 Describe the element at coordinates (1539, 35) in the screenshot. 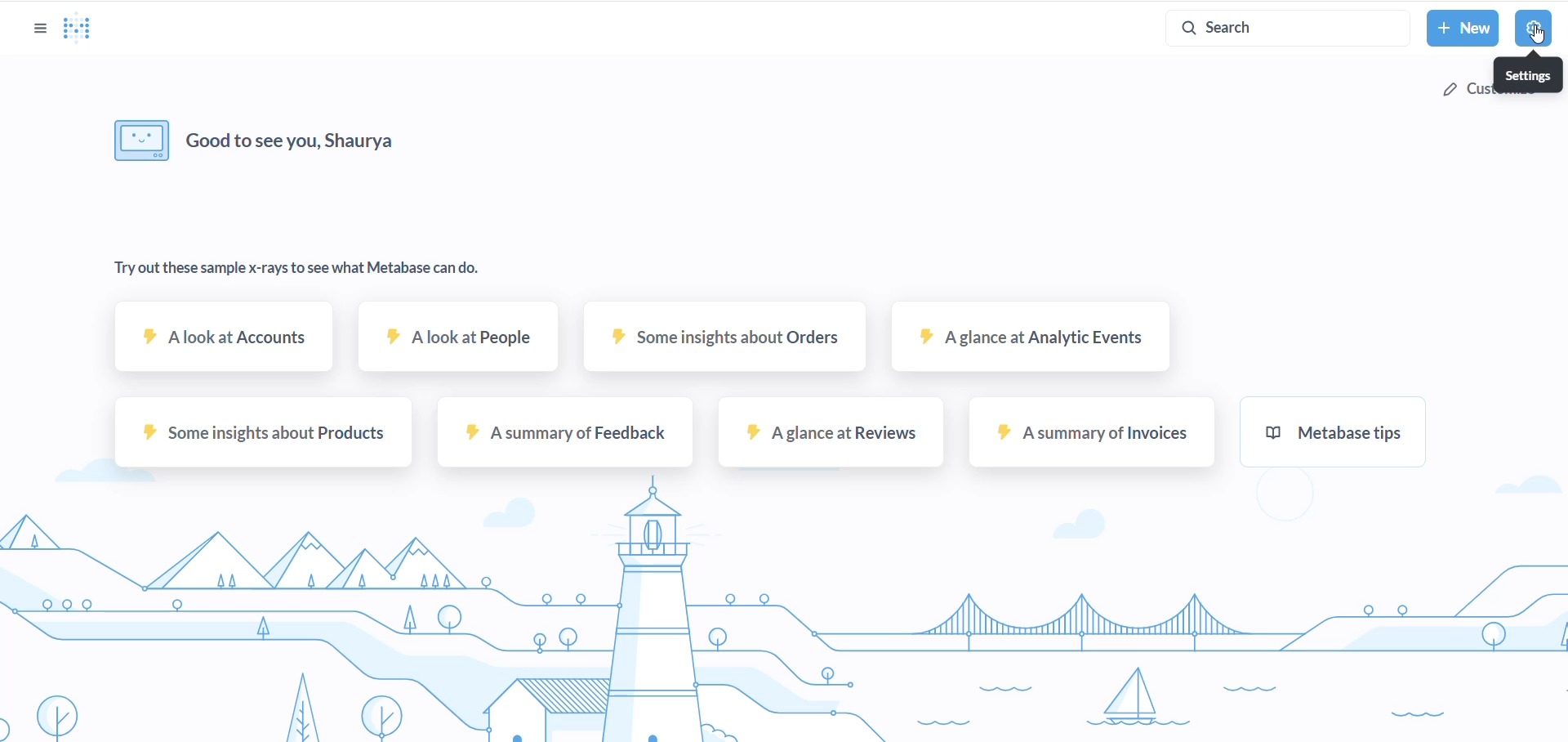

I see `cursor` at that location.